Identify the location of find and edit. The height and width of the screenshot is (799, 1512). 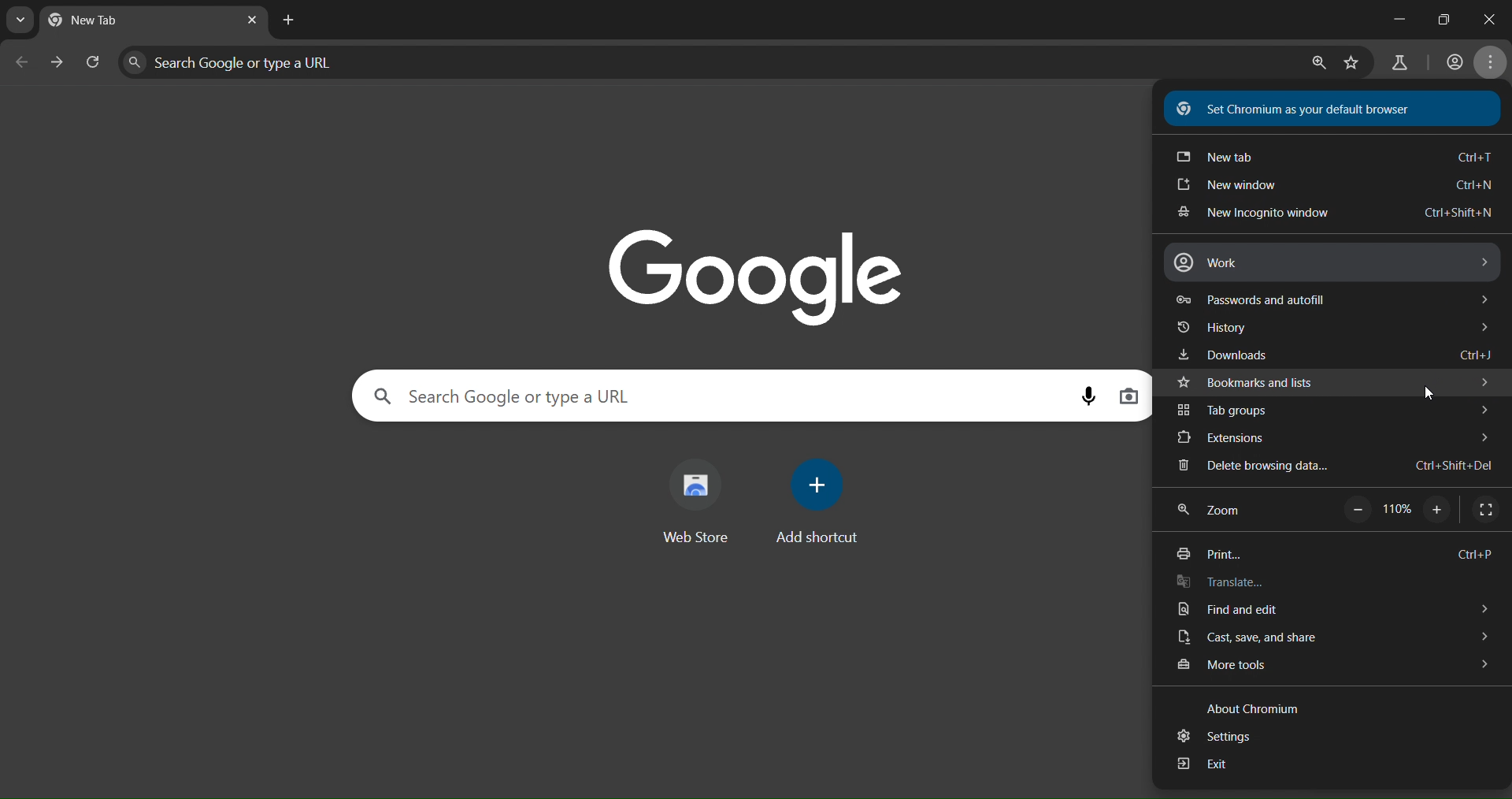
(1330, 608).